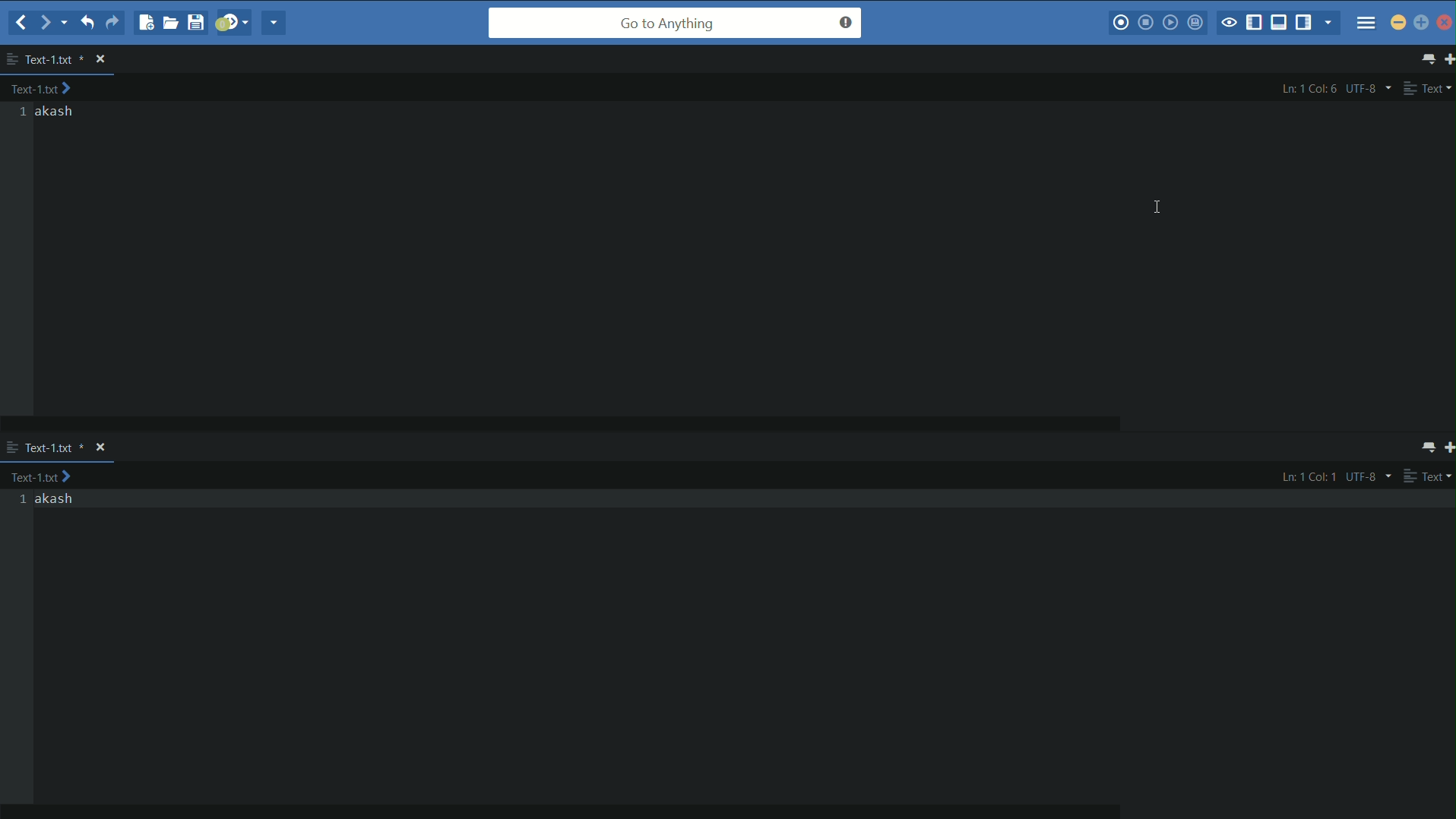  I want to click on save macro to toolbox, so click(1197, 21).